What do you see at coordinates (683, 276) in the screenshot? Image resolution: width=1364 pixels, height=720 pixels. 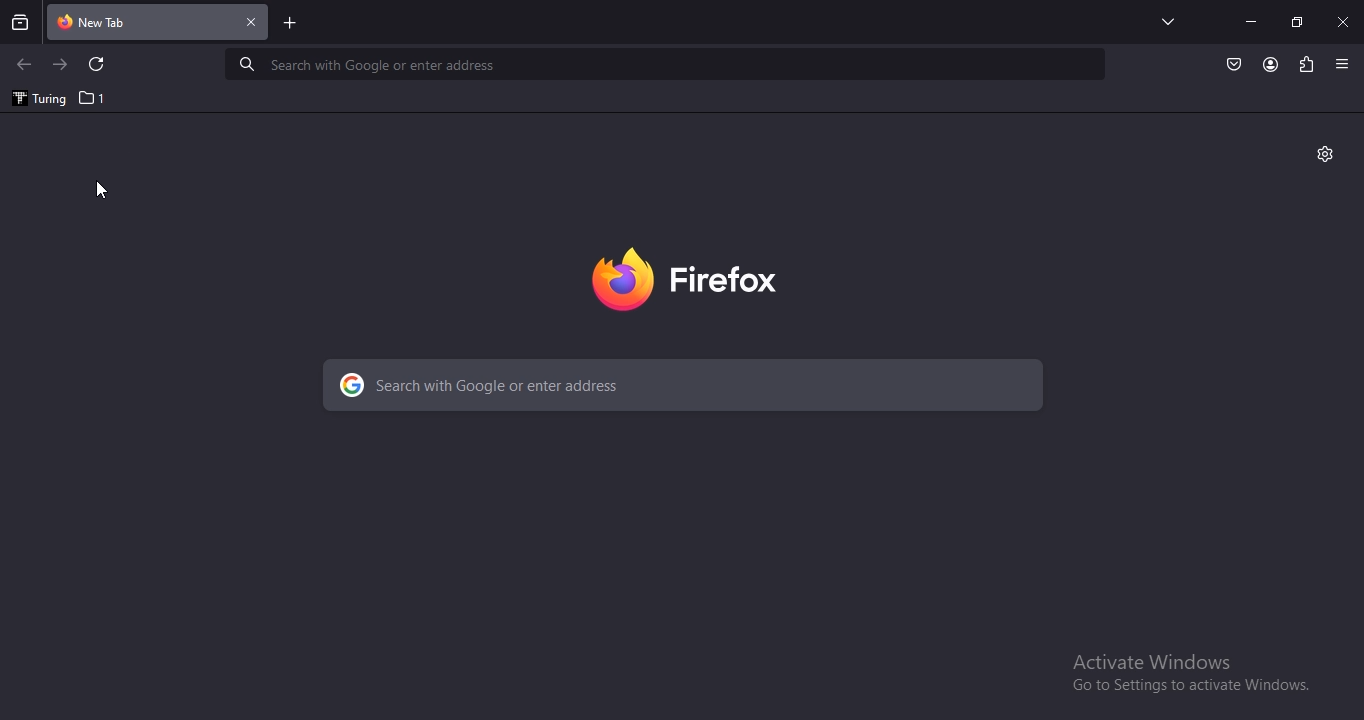 I see `firebox` at bounding box center [683, 276].